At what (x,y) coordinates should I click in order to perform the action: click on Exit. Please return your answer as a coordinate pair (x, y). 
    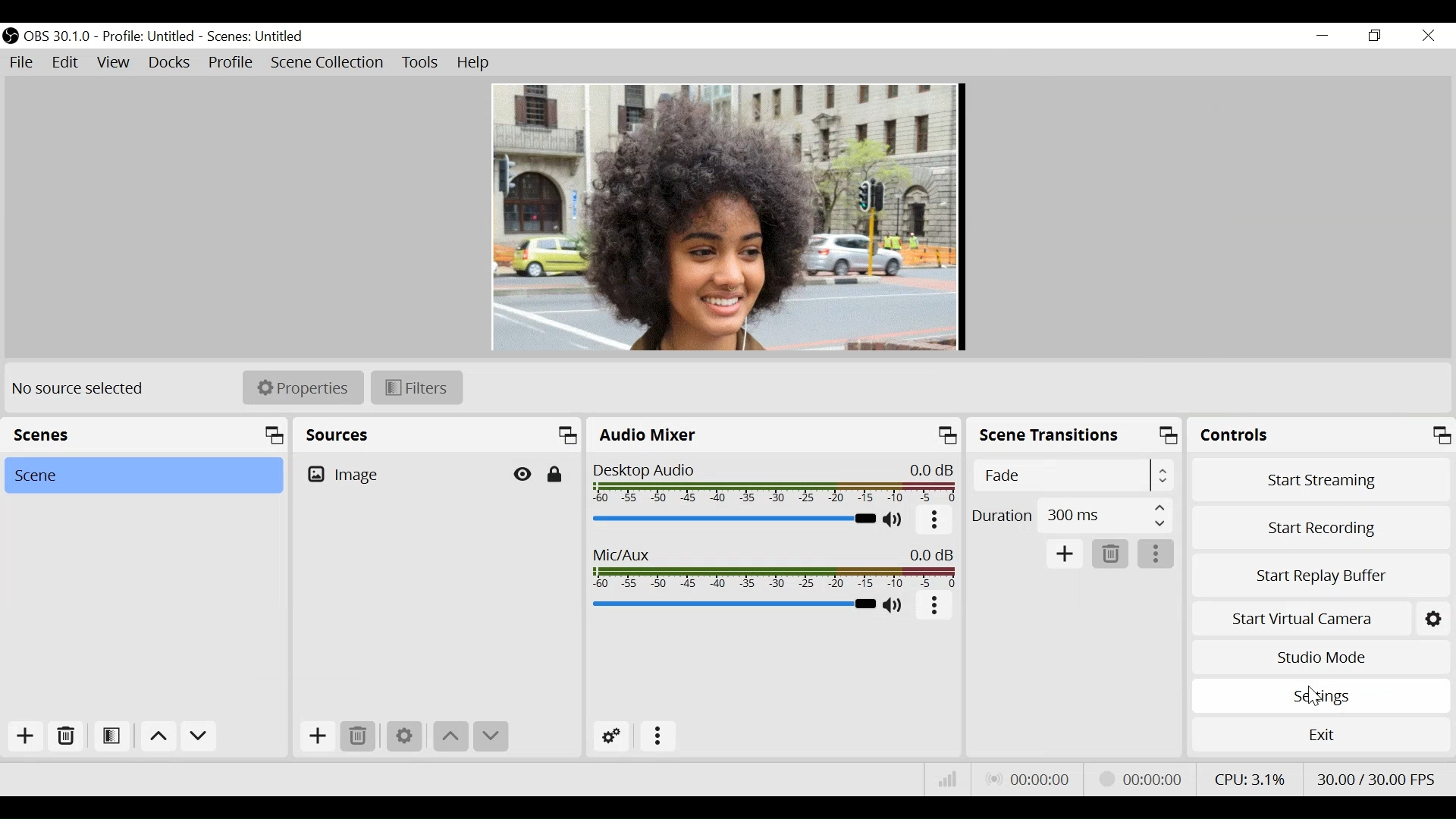
    Looking at the image, I should click on (1321, 733).